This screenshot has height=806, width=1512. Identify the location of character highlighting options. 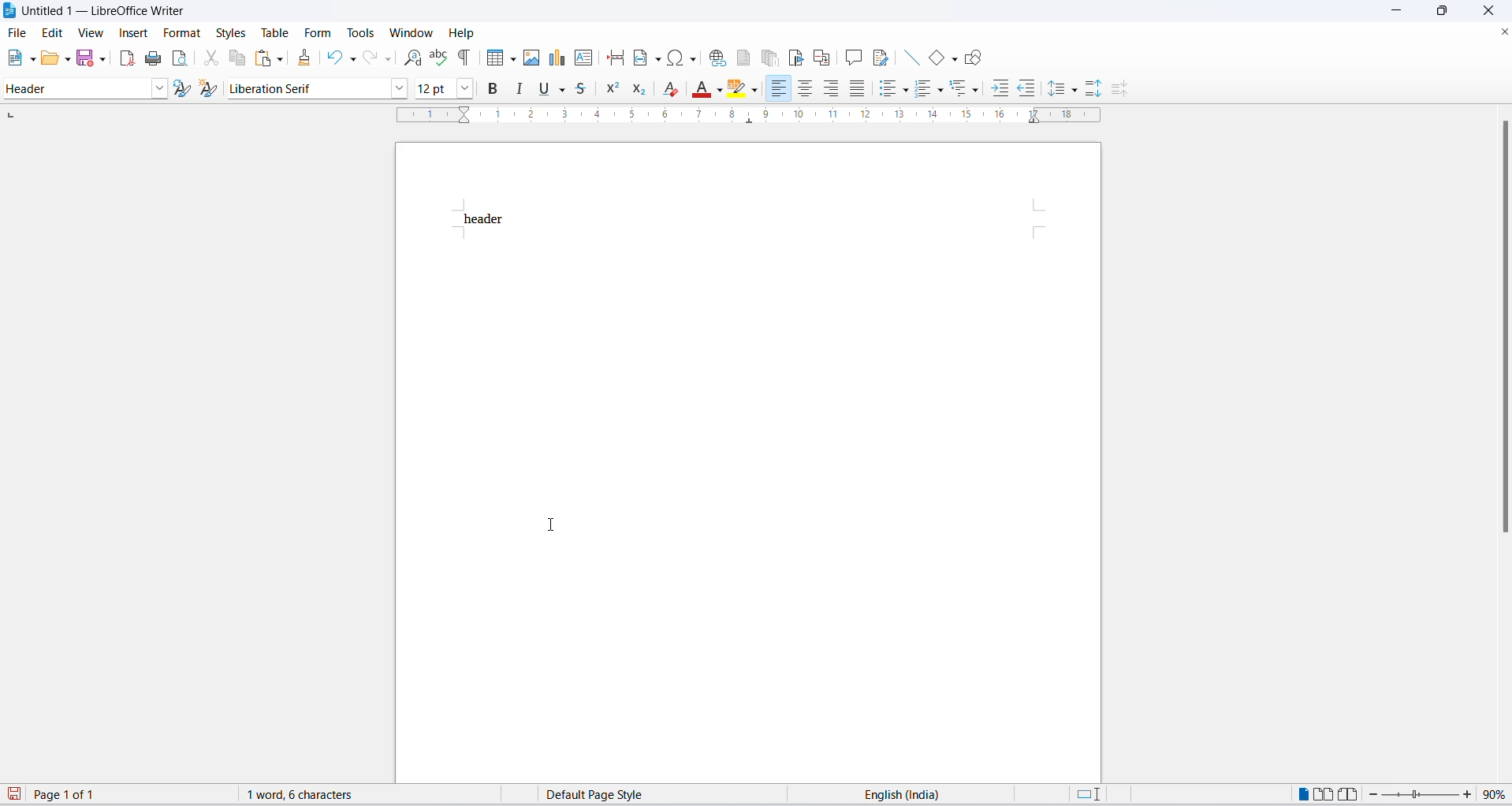
(758, 89).